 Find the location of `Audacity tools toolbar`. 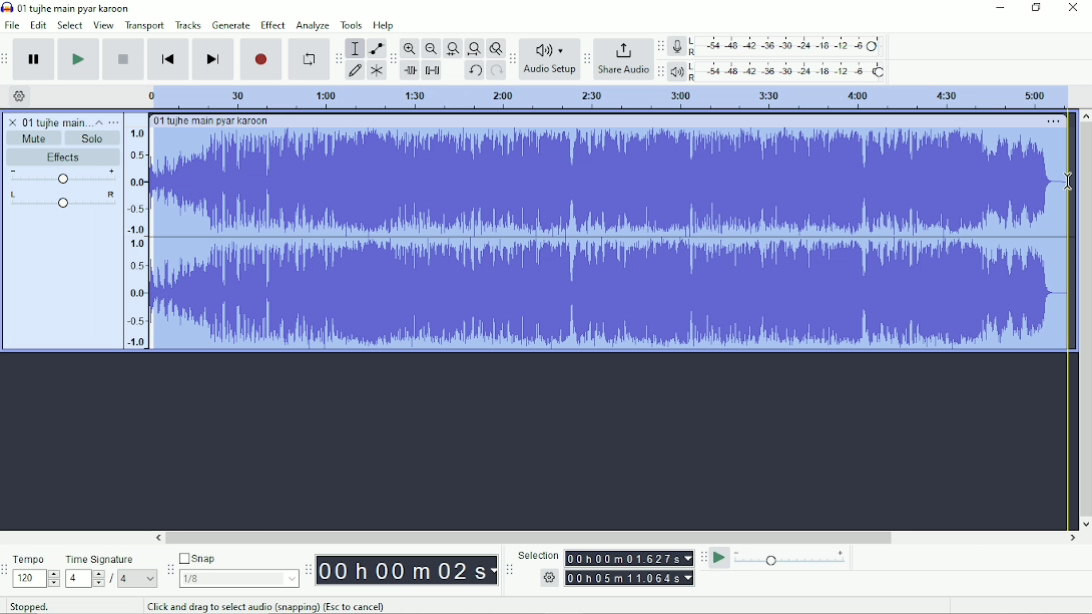

Audacity tools toolbar is located at coordinates (338, 58).